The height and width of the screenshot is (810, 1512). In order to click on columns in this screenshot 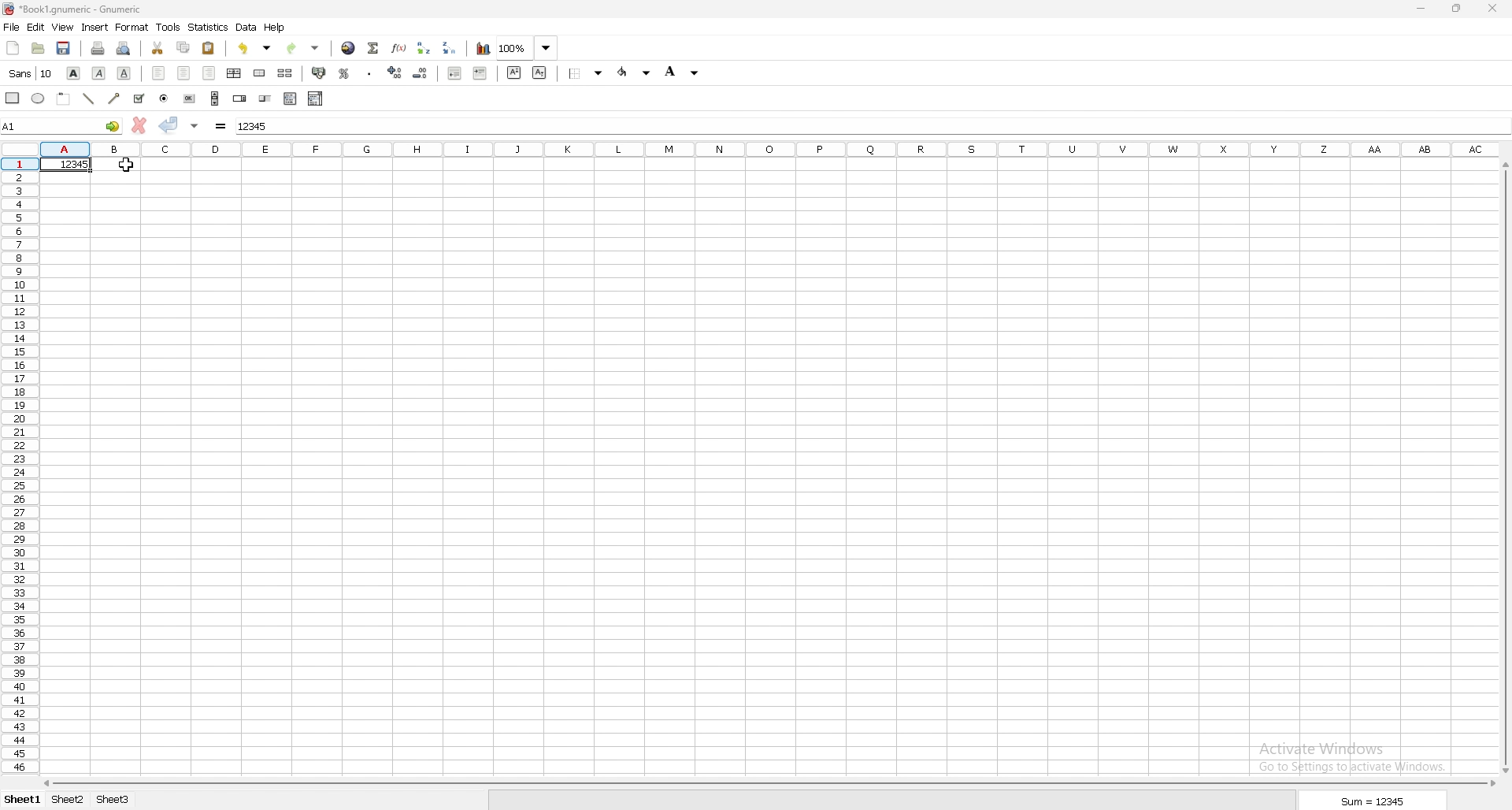, I will do `click(768, 149)`.